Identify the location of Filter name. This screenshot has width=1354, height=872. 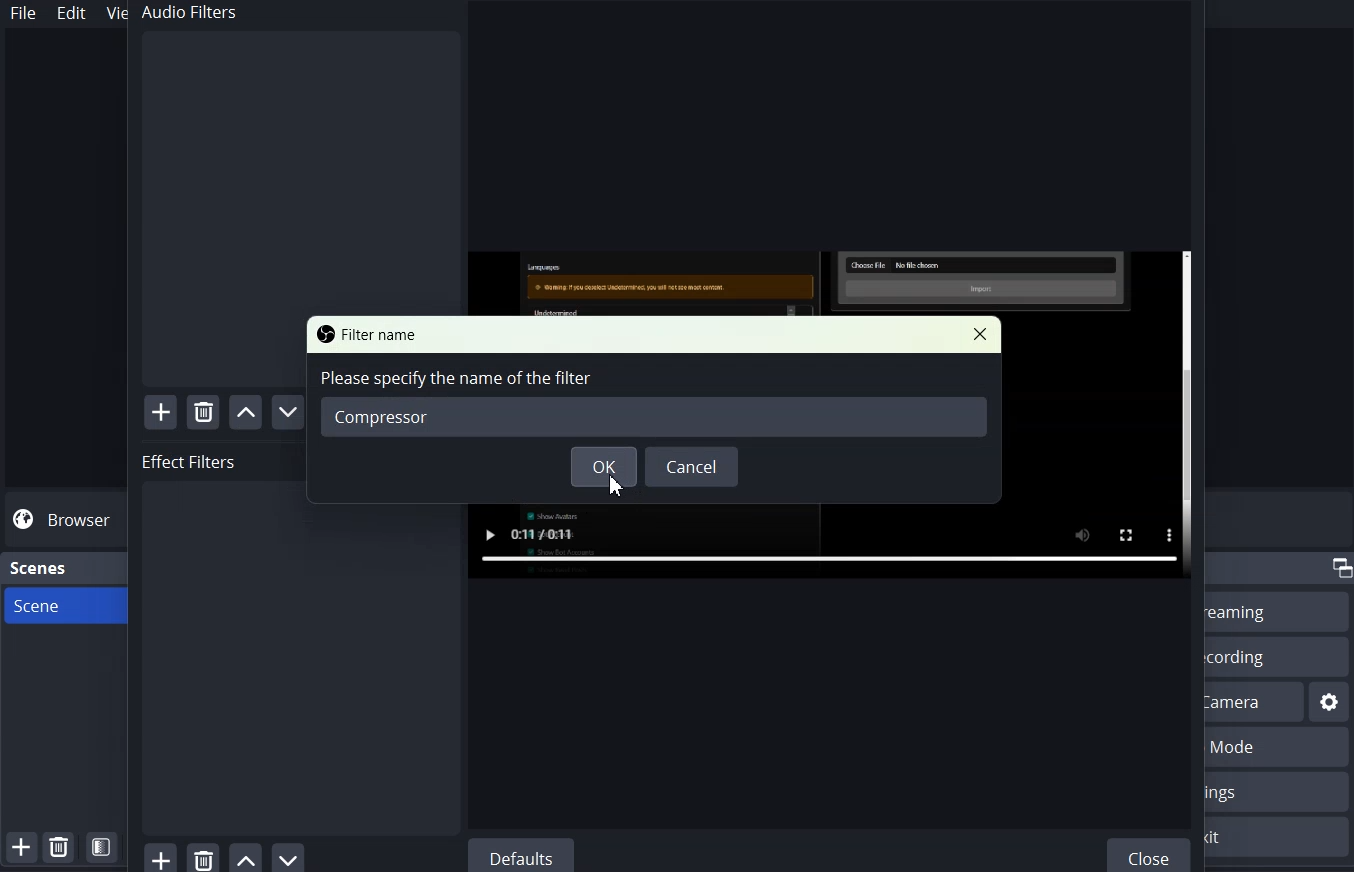
(370, 333).